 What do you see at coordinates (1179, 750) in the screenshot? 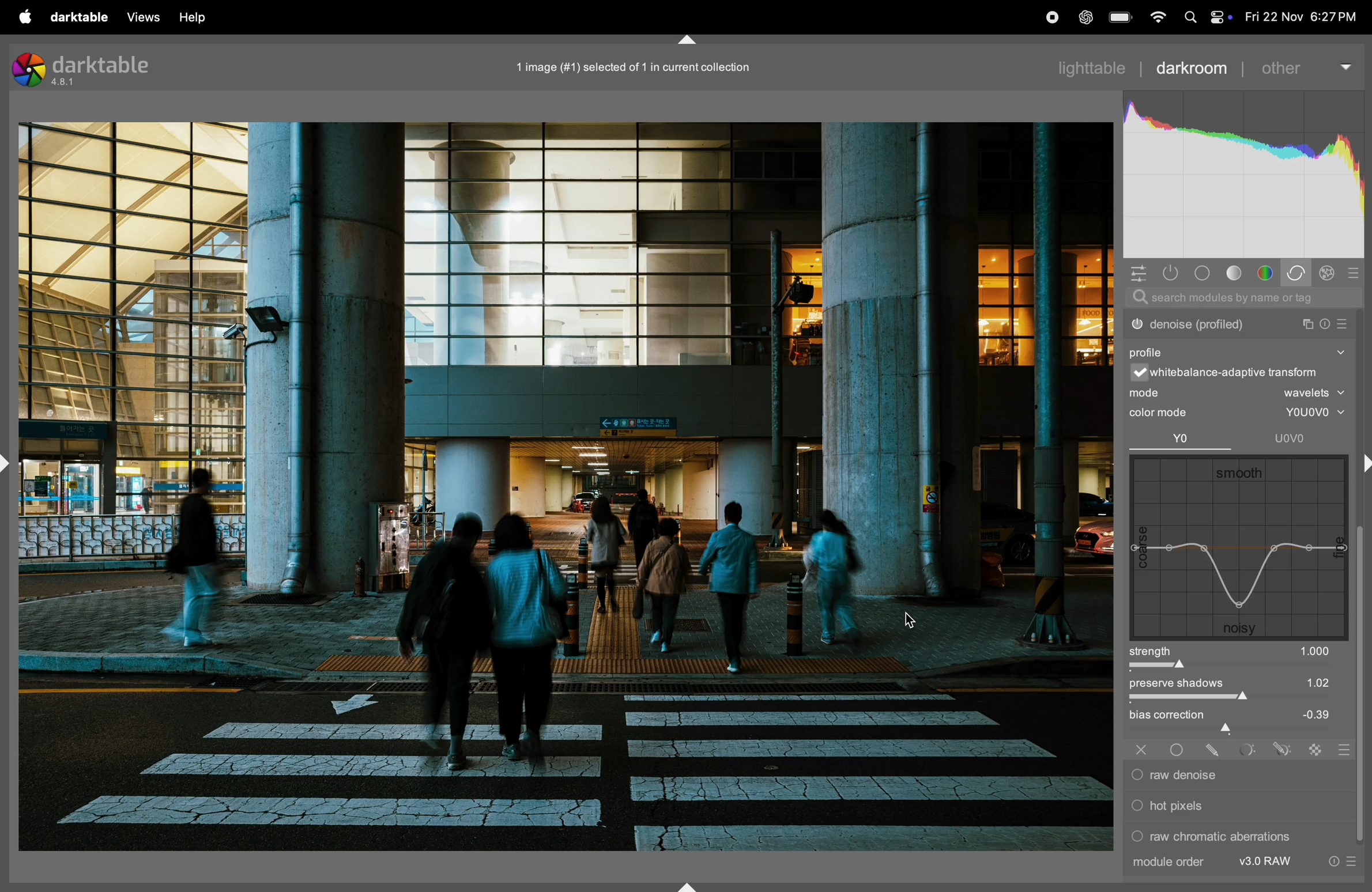
I see `uniformly` at bounding box center [1179, 750].